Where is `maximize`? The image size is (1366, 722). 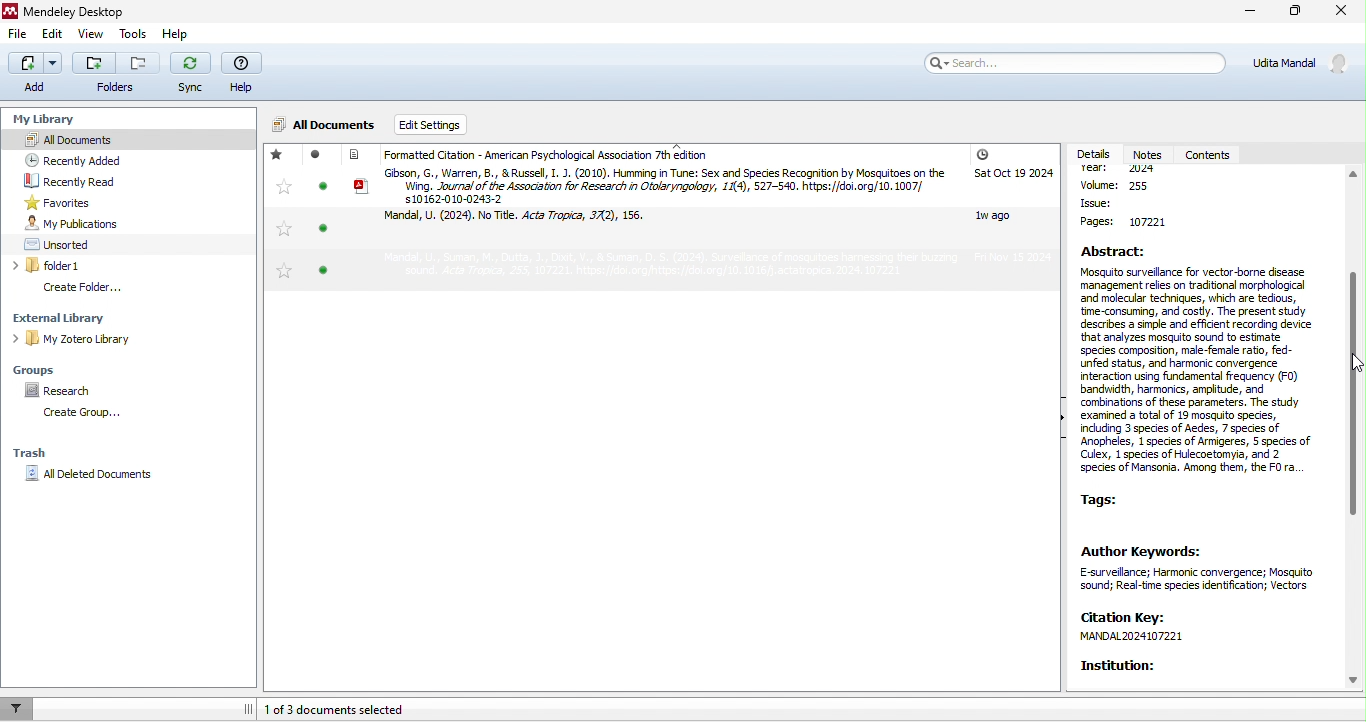 maximize is located at coordinates (1291, 14).